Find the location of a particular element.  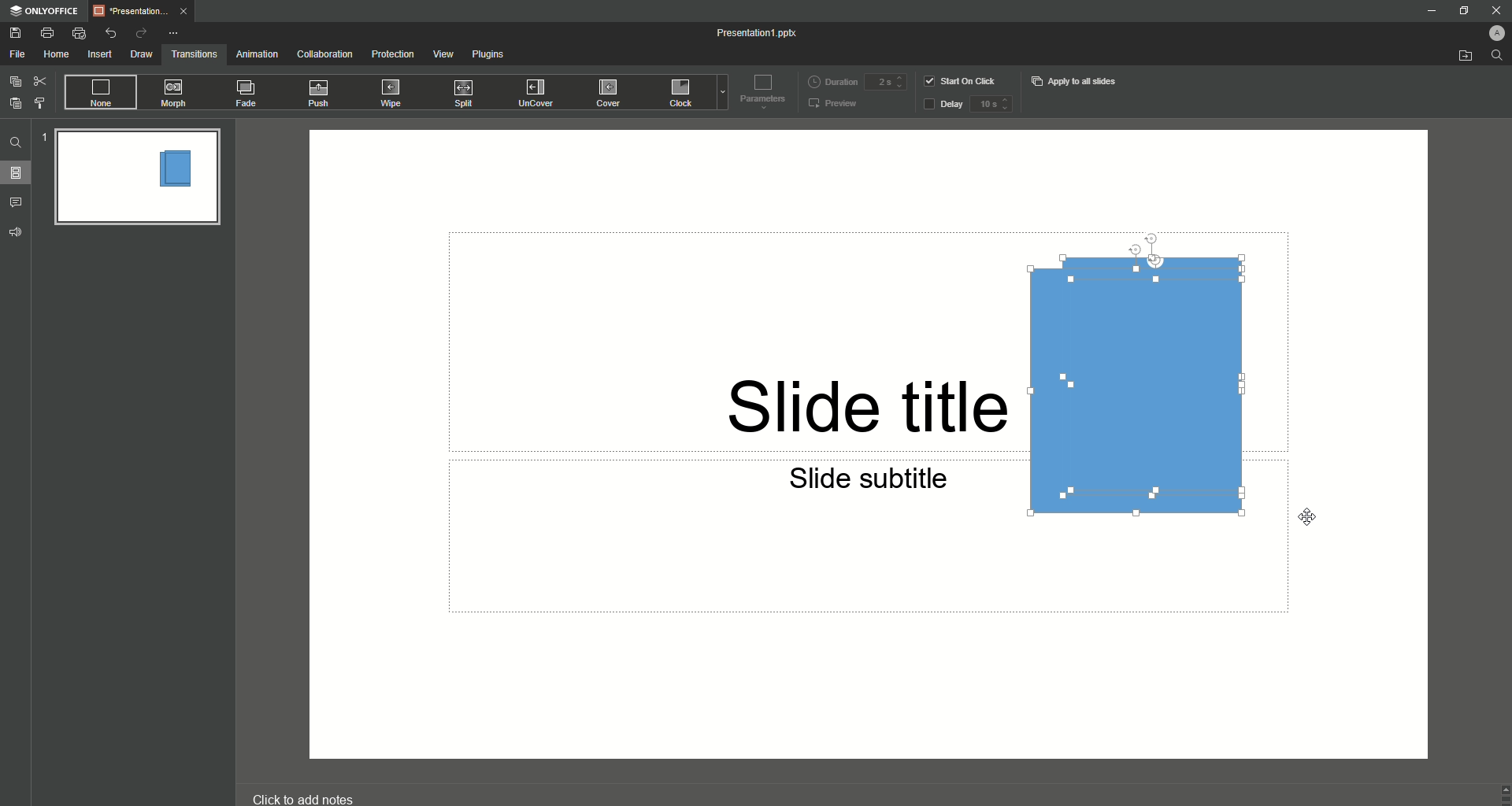

all 3 shapes aligned to the right is located at coordinates (1142, 379).